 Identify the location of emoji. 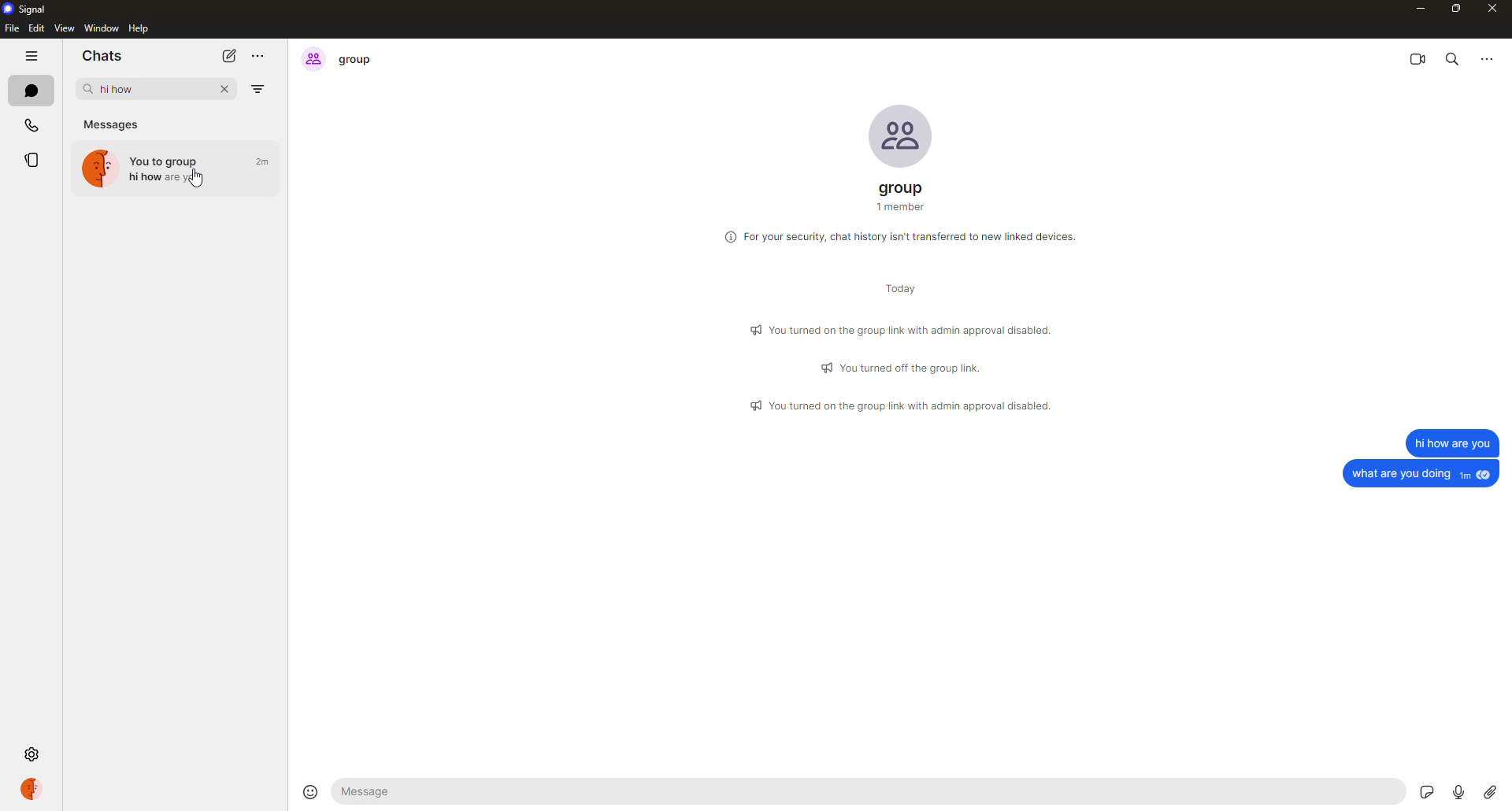
(308, 790).